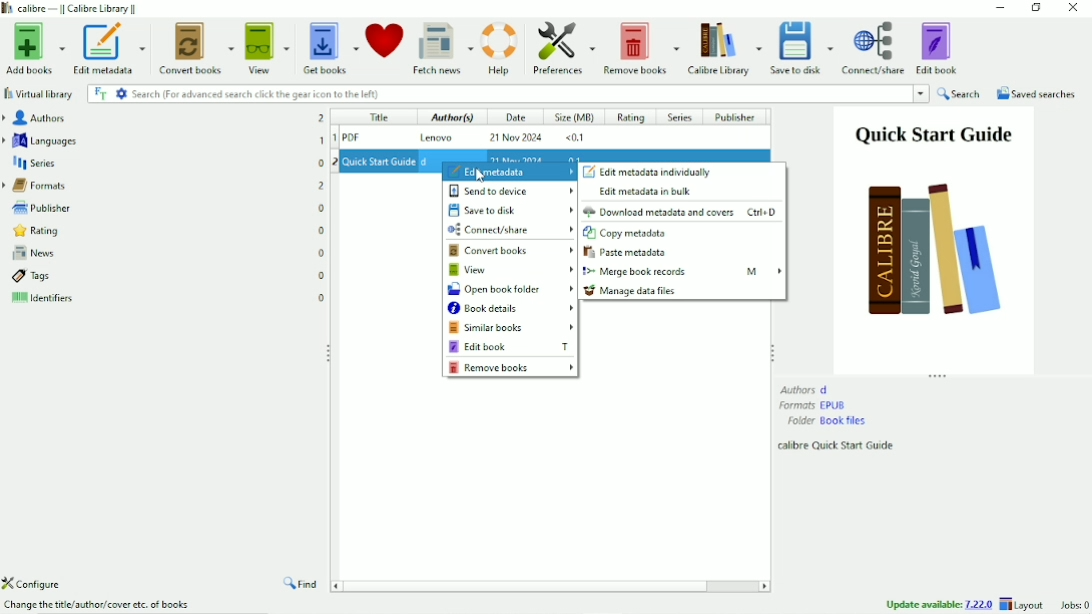  Describe the element at coordinates (511, 368) in the screenshot. I see `Remove books` at that location.